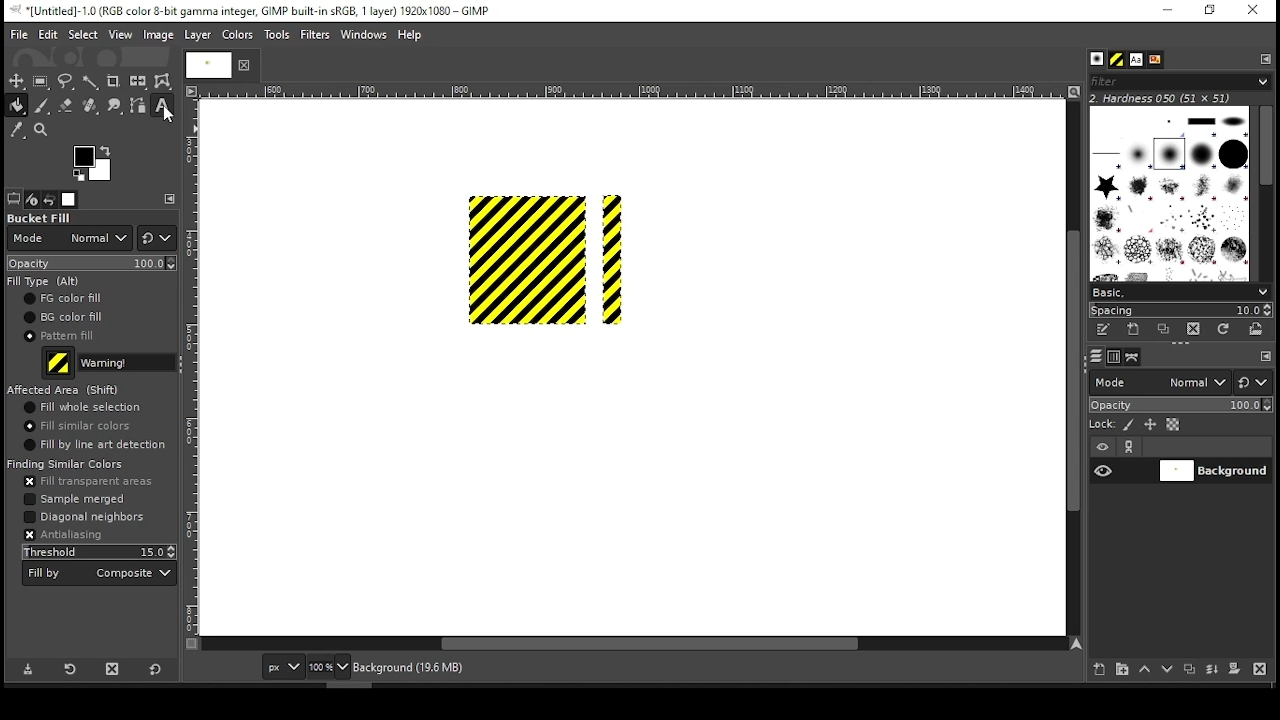 The image size is (1280, 720). What do you see at coordinates (63, 534) in the screenshot?
I see `antialiasing` at bounding box center [63, 534].